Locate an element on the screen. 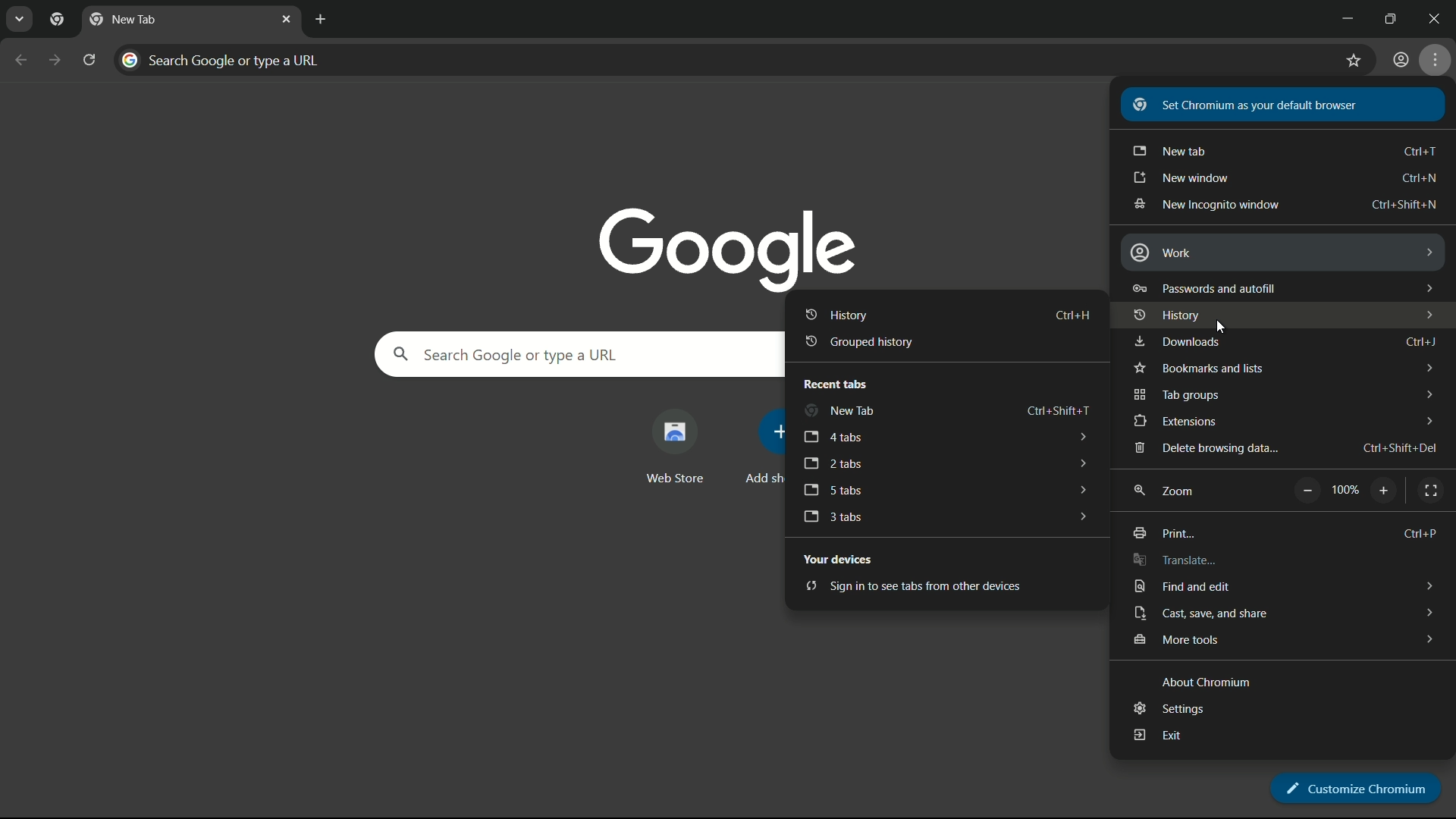 This screenshot has width=1456, height=819. shortcut keys is located at coordinates (1420, 151).